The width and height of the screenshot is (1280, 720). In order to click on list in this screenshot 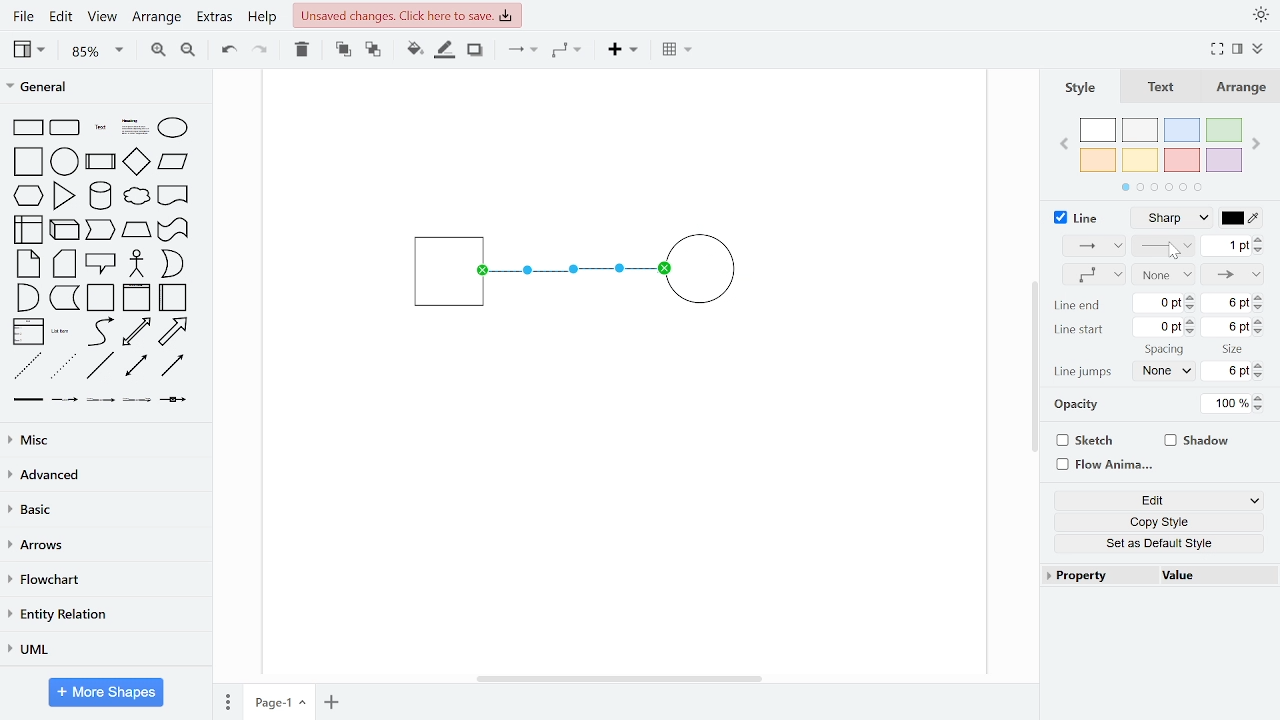, I will do `click(28, 332)`.